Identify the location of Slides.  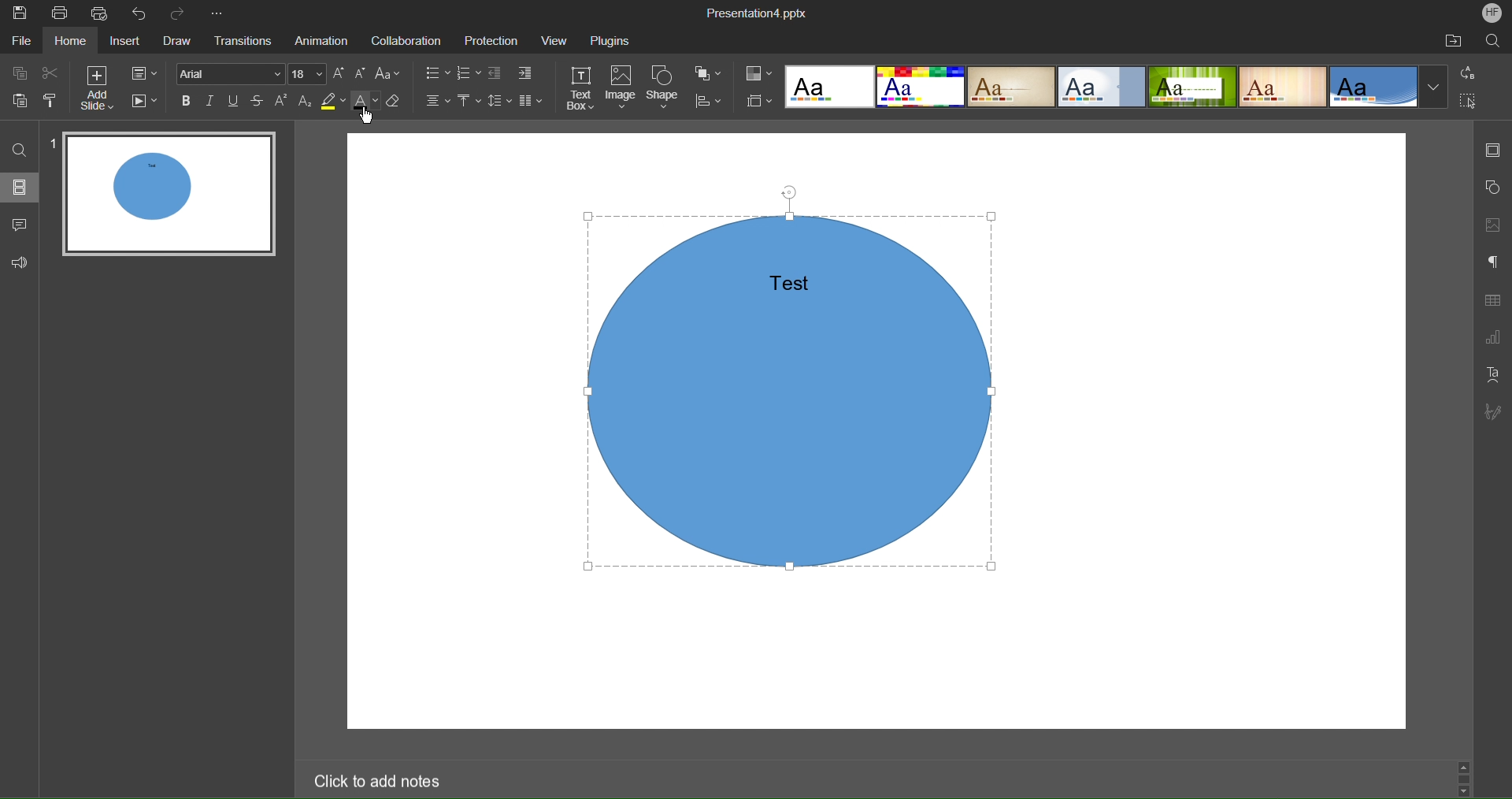
(23, 188).